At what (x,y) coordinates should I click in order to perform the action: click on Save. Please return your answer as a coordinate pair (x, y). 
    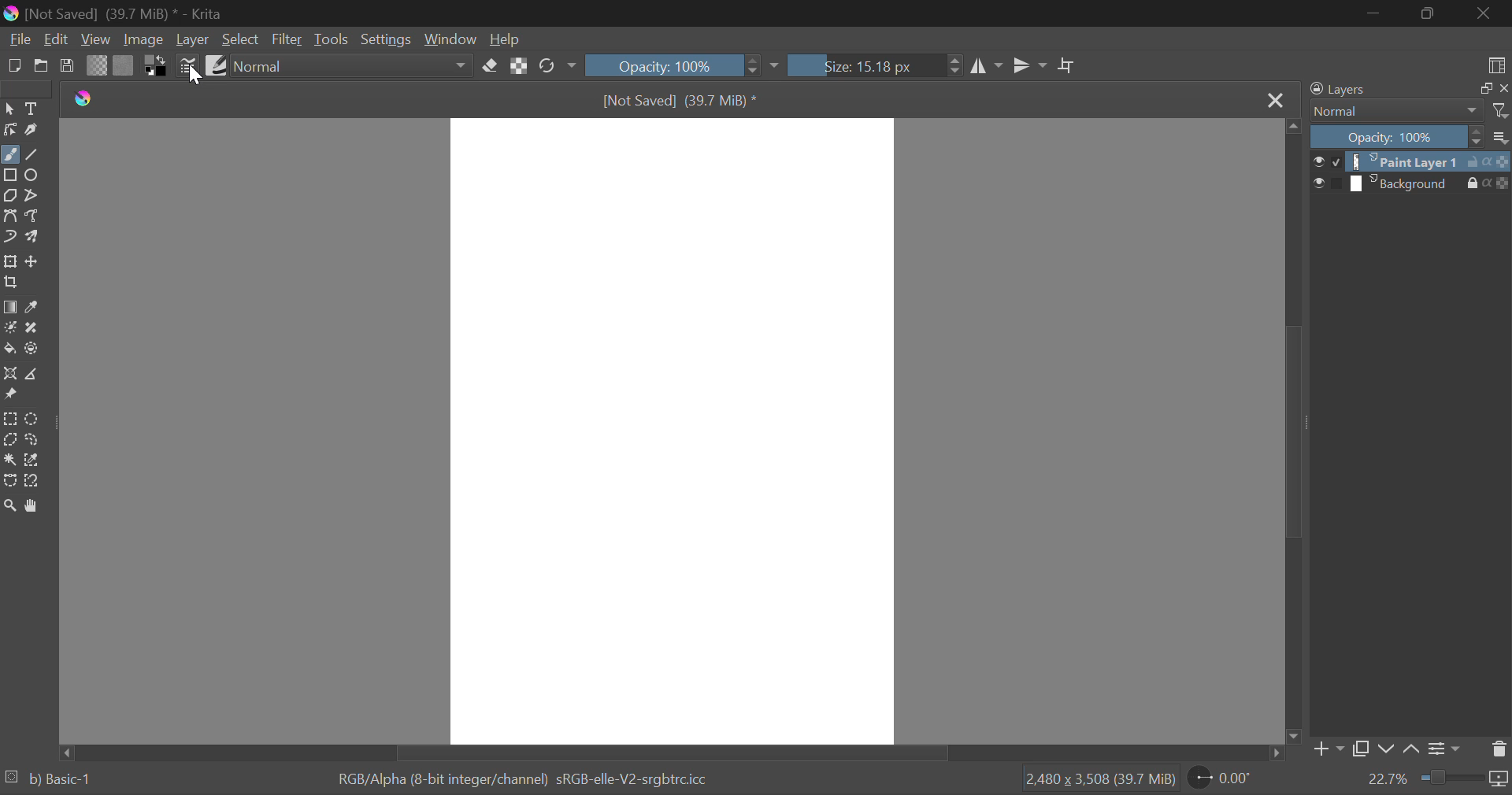
    Looking at the image, I should click on (68, 66).